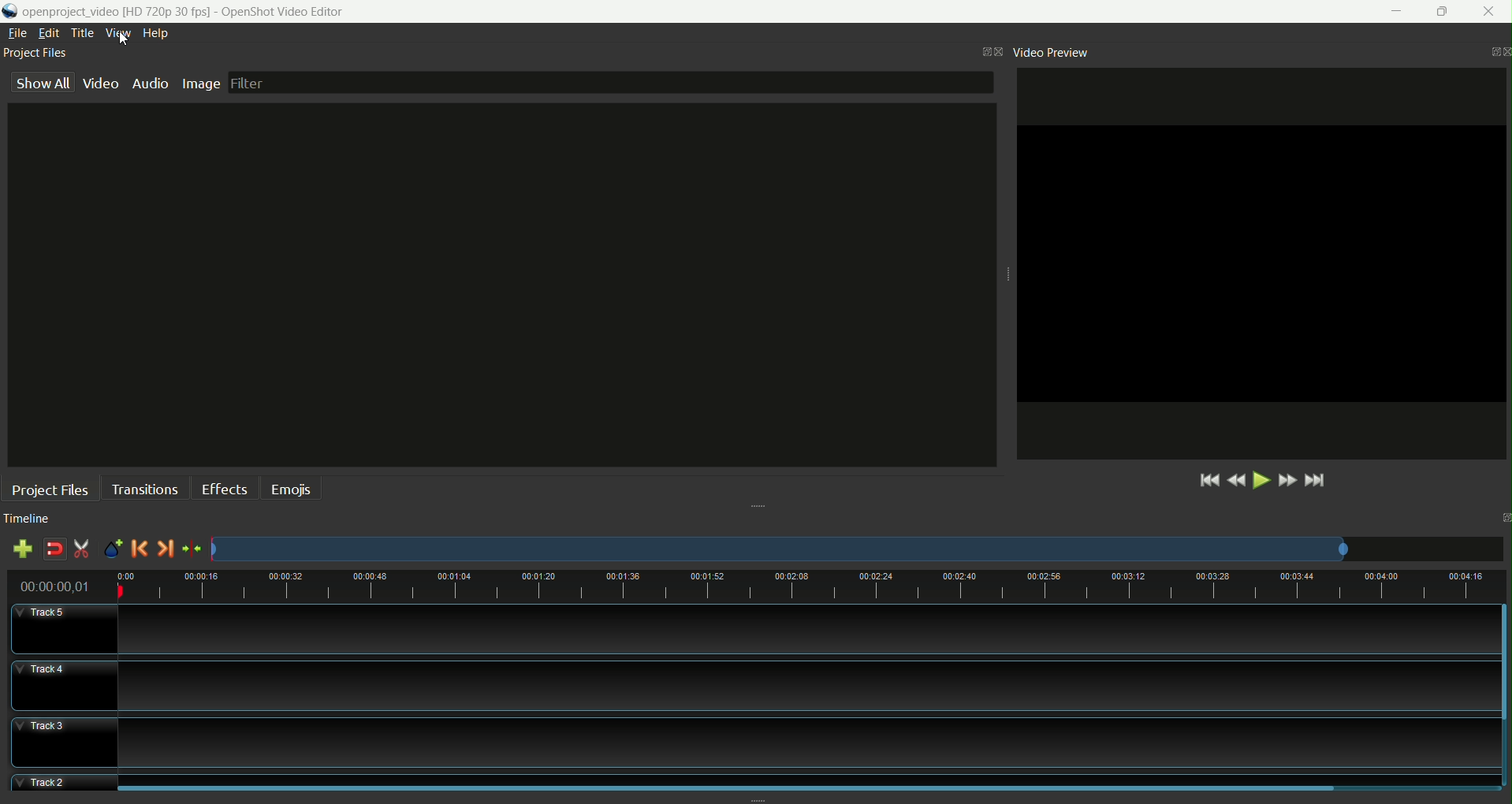 This screenshot has height=804, width=1512. Describe the element at coordinates (757, 686) in the screenshot. I see `track4` at that location.